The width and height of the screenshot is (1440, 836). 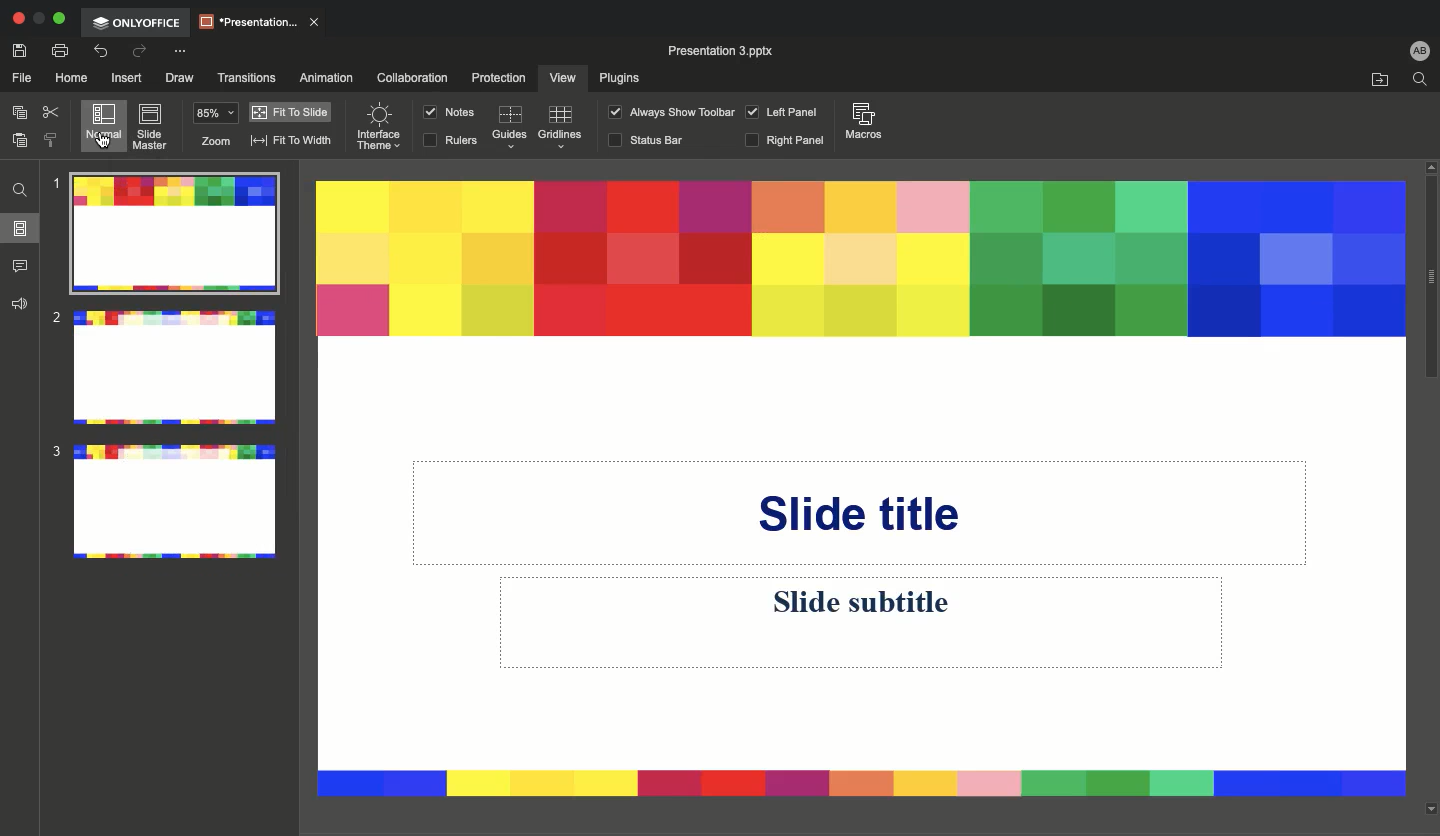 What do you see at coordinates (137, 52) in the screenshot?
I see `Redo` at bounding box center [137, 52].